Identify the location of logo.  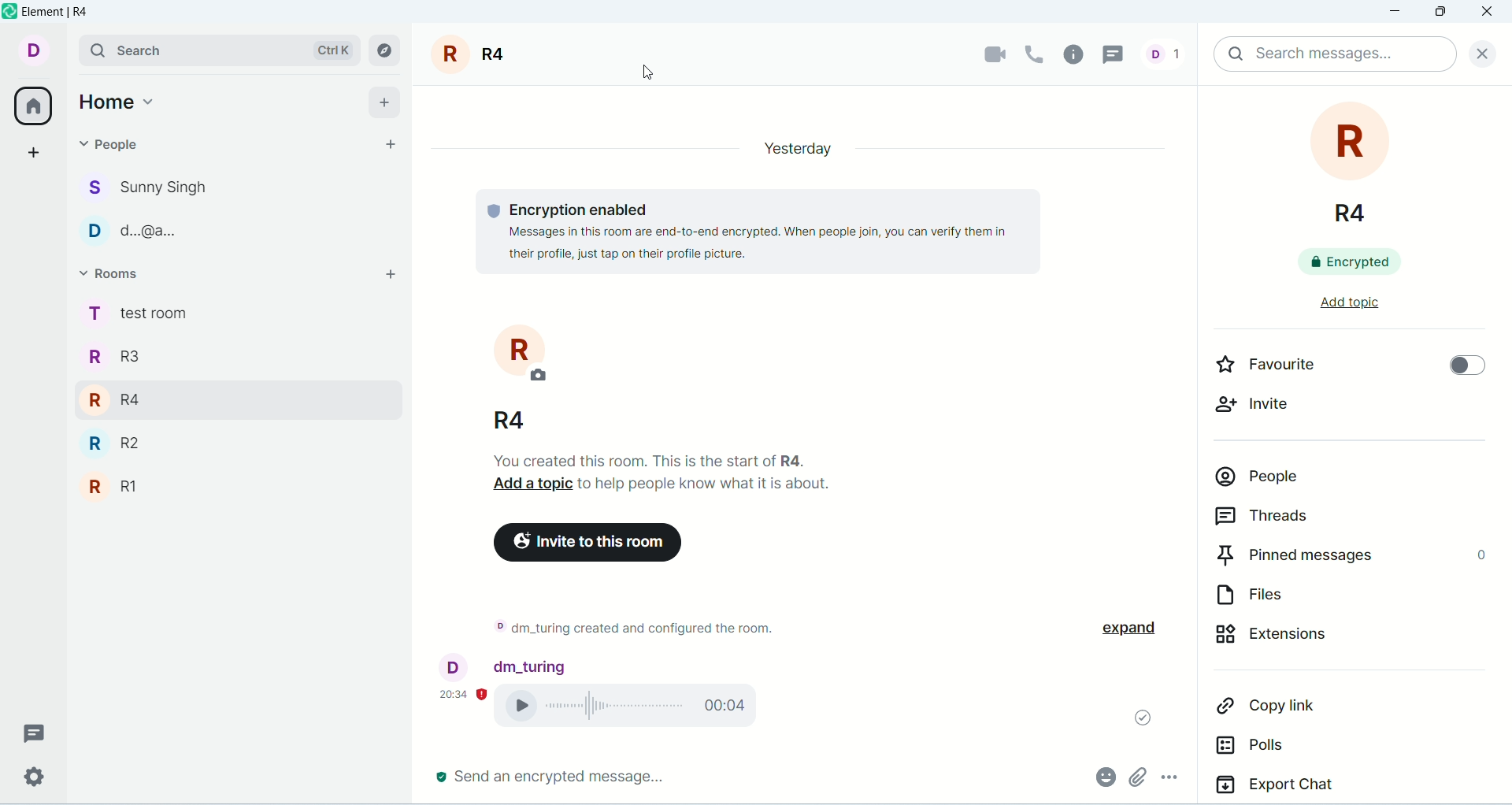
(9, 11).